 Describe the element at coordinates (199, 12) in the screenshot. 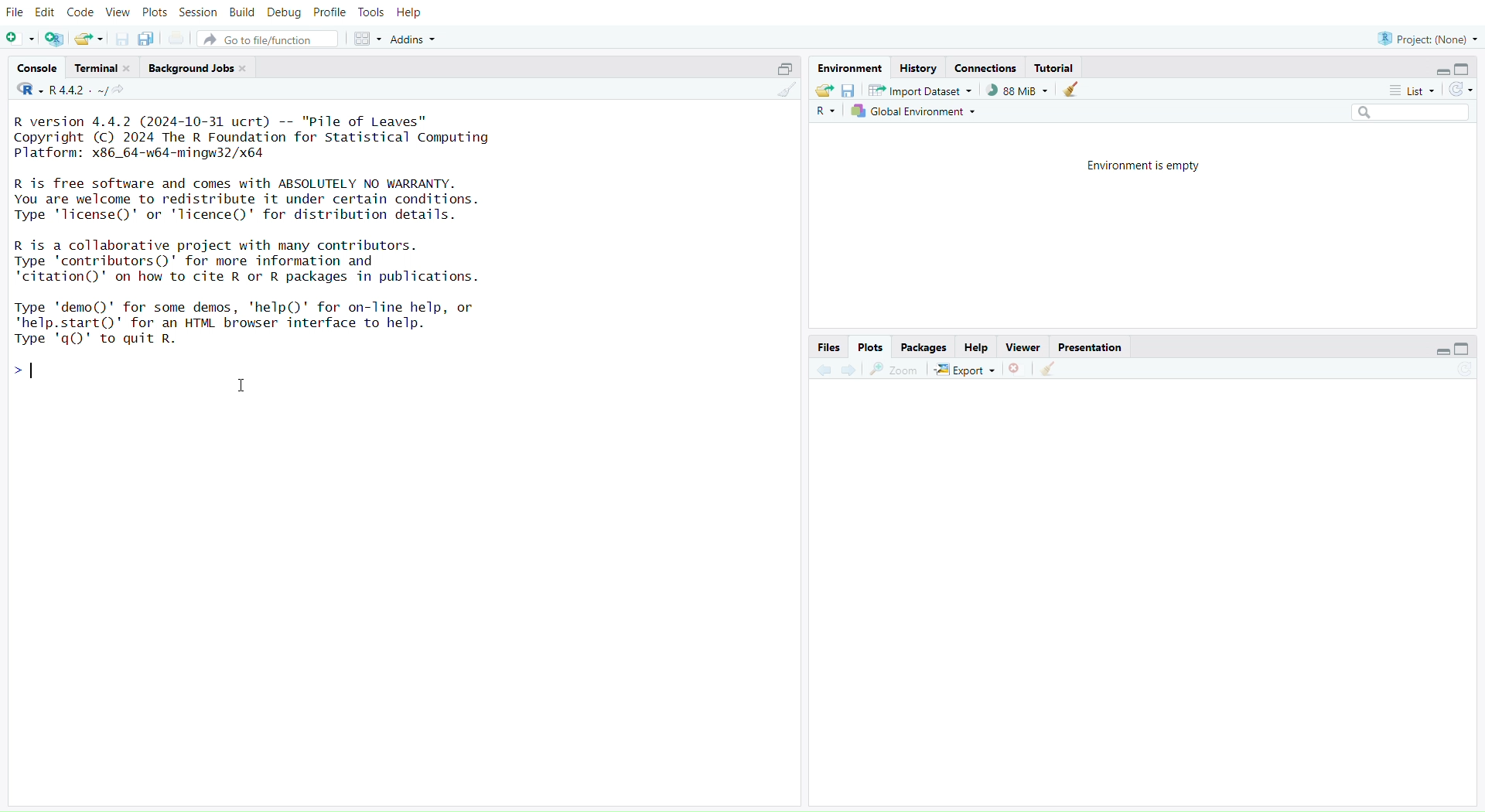

I see `sessions` at that location.